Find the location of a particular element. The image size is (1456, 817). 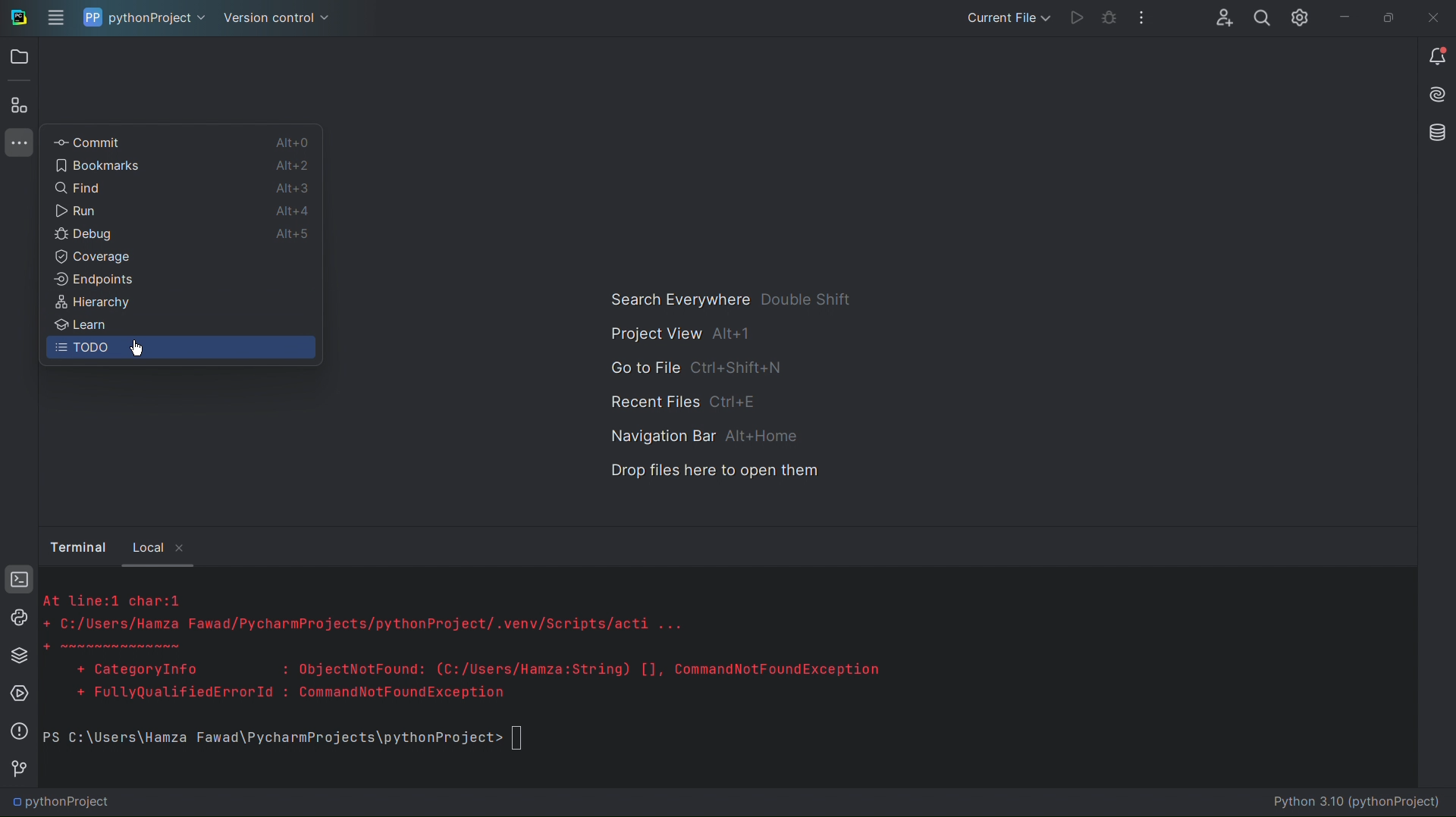

Python 3.10 (pythonProject) is located at coordinates (1346, 803).